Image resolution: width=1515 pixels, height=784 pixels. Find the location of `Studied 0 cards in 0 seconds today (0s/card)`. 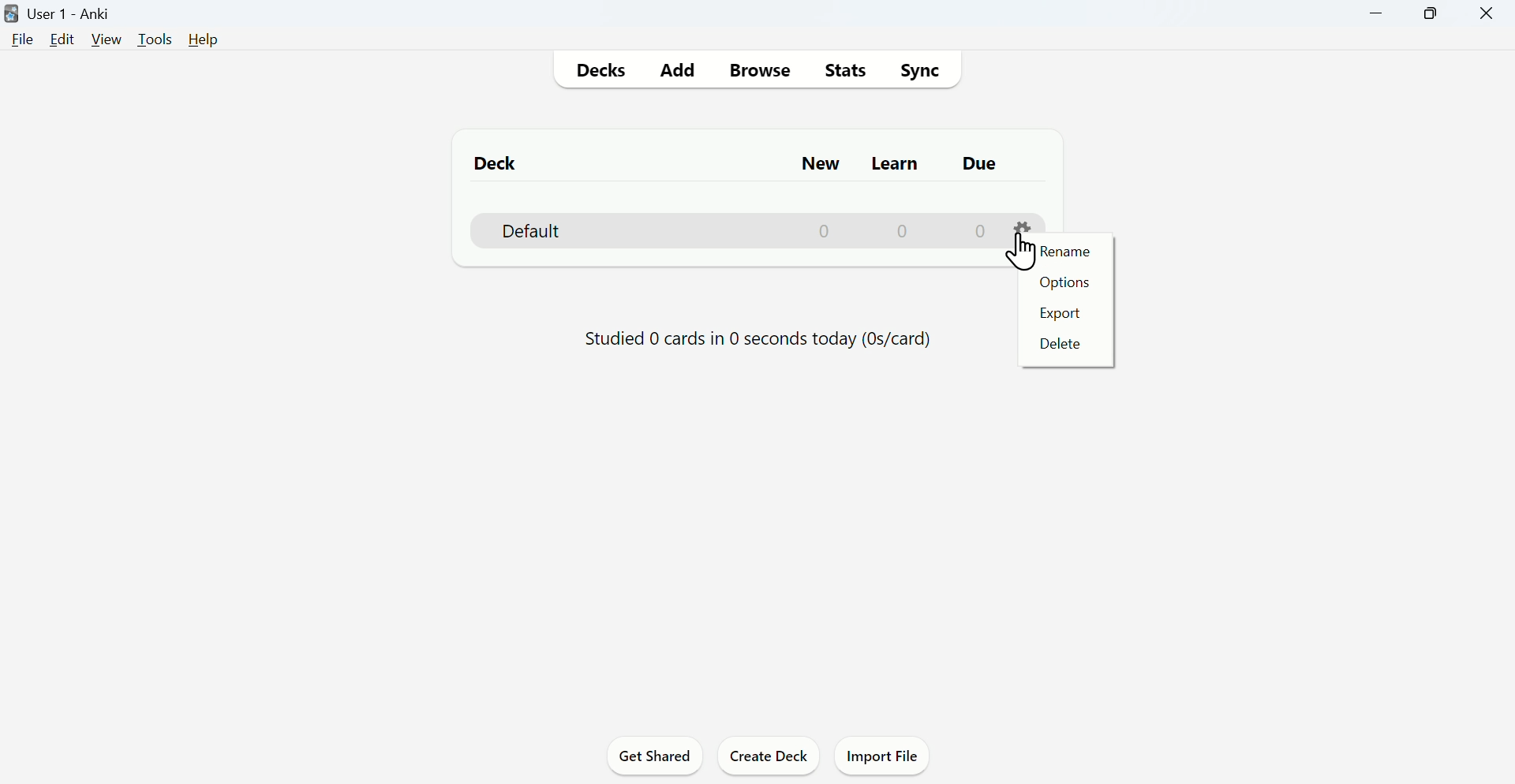

Studied 0 cards in 0 seconds today (0s/card) is located at coordinates (760, 342).